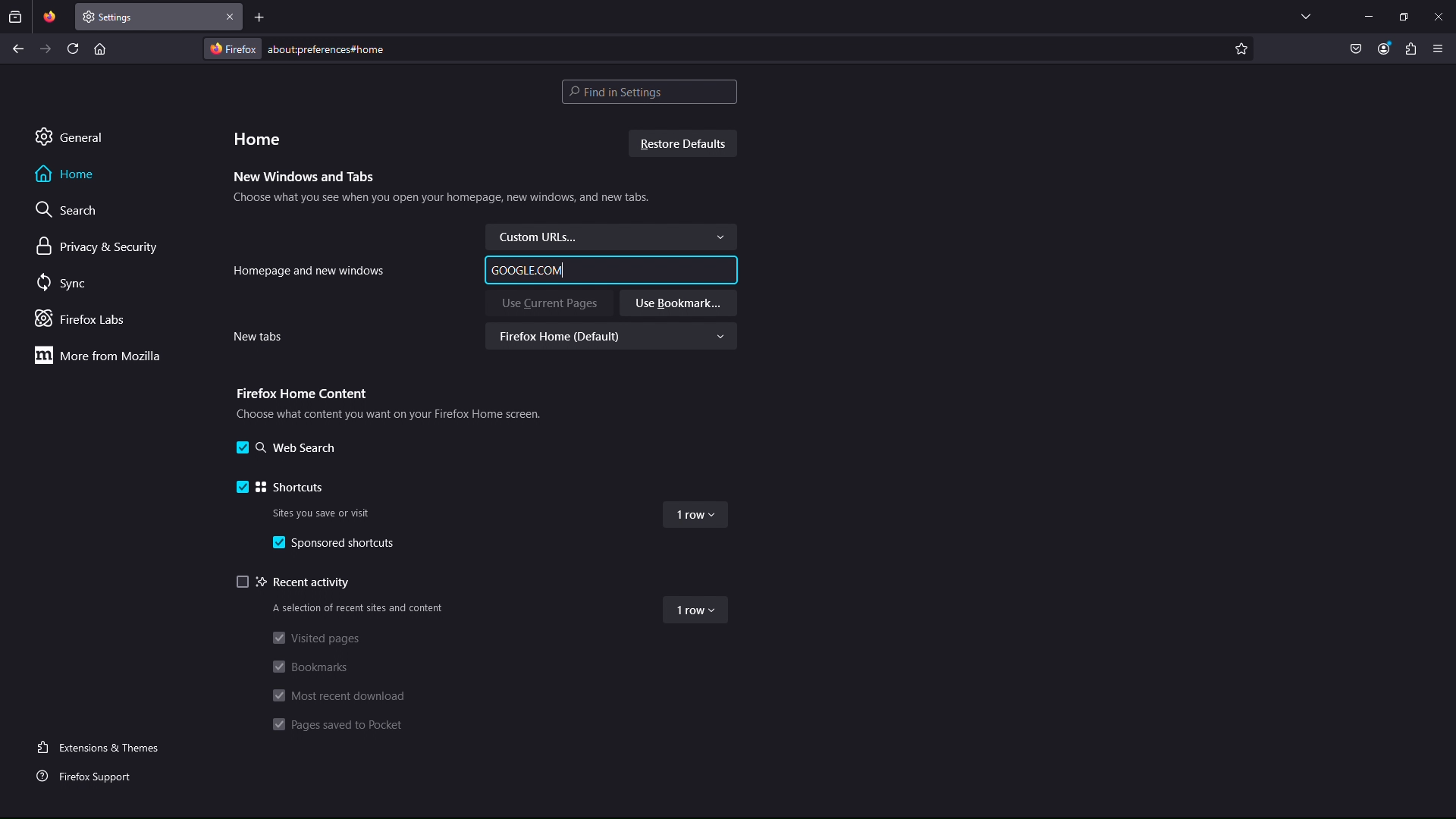 The height and width of the screenshot is (819, 1456). Describe the element at coordinates (314, 637) in the screenshot. I see `Visited pages` at that location.